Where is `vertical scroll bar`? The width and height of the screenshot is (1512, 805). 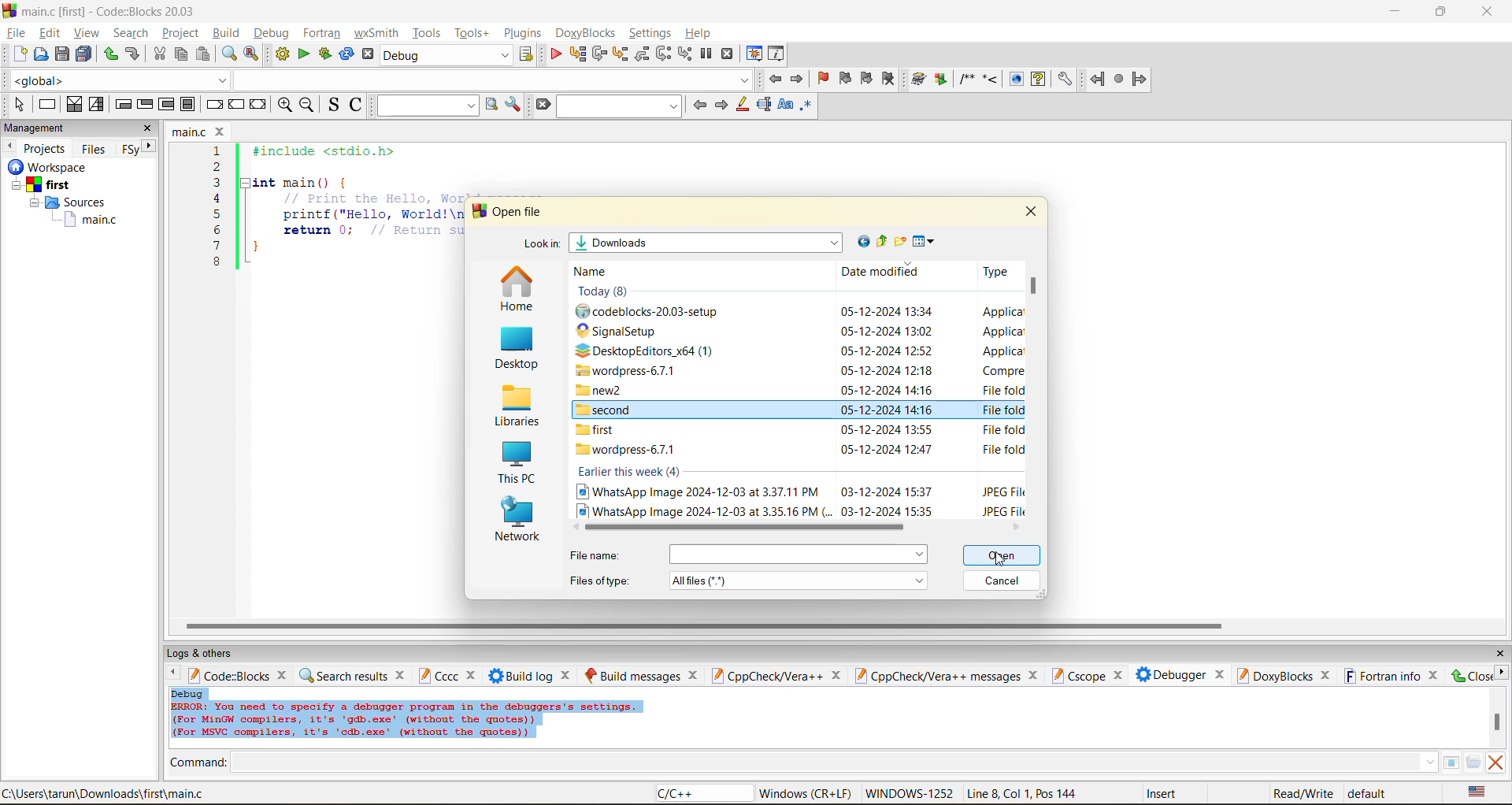
vertical scroll bar is located at coordinates (1036, 290).